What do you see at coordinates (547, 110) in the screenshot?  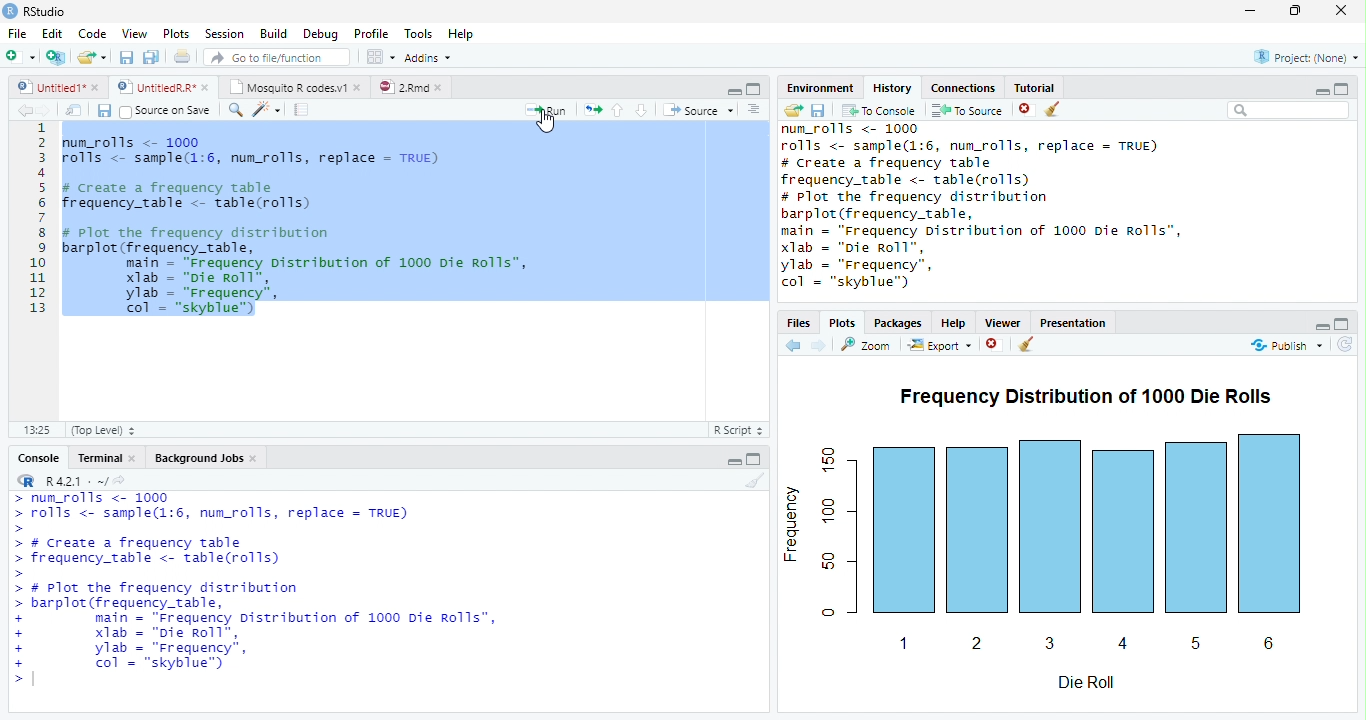 I see `Run` at bounding box center [547, 110].